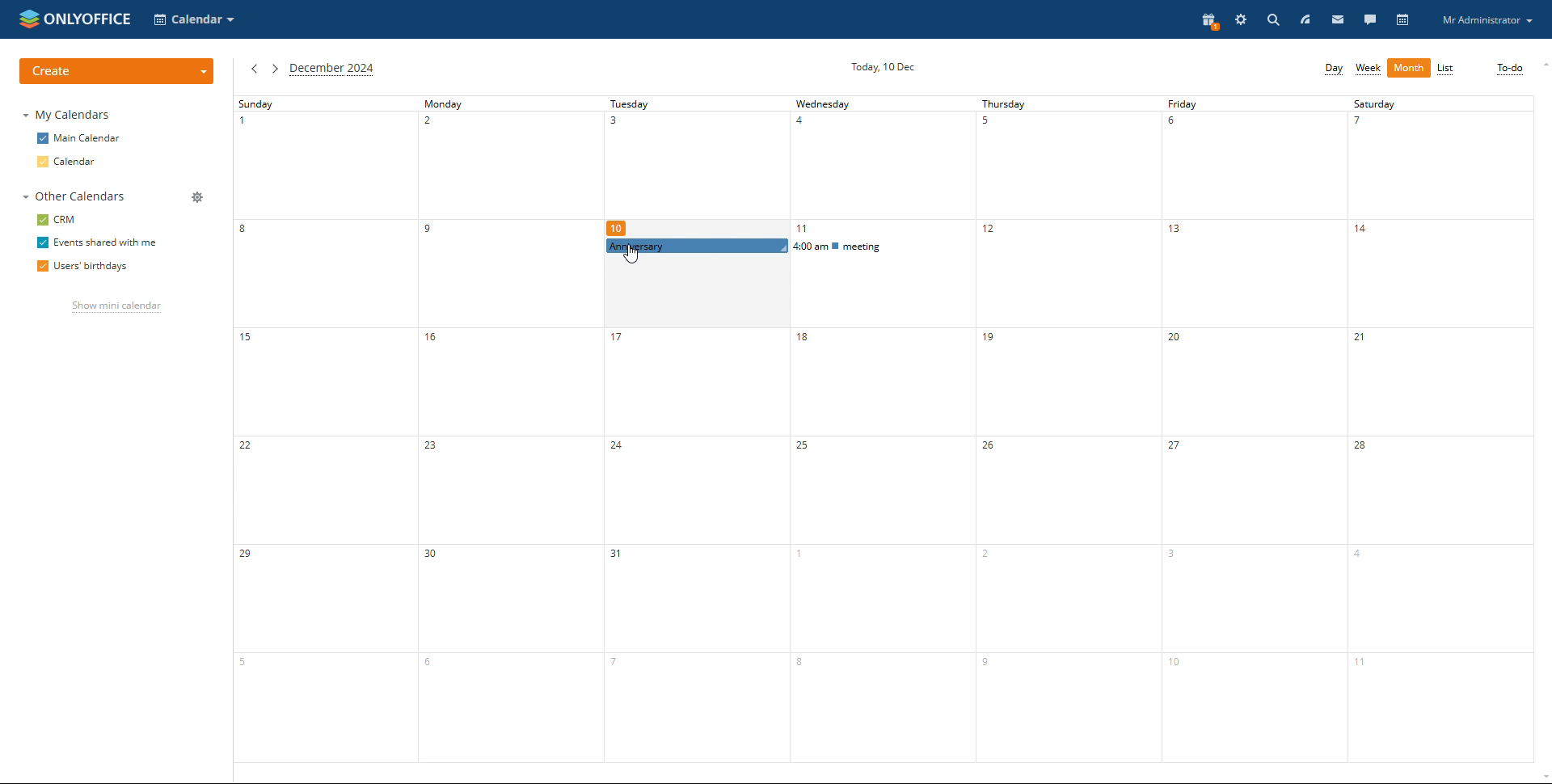 Image resolution: width=1552 pixels, height=784 pixels. What do you see at coordinates (1509, 69) in the screenshot?
I see `to-do` at bounding box center [1509, 69].